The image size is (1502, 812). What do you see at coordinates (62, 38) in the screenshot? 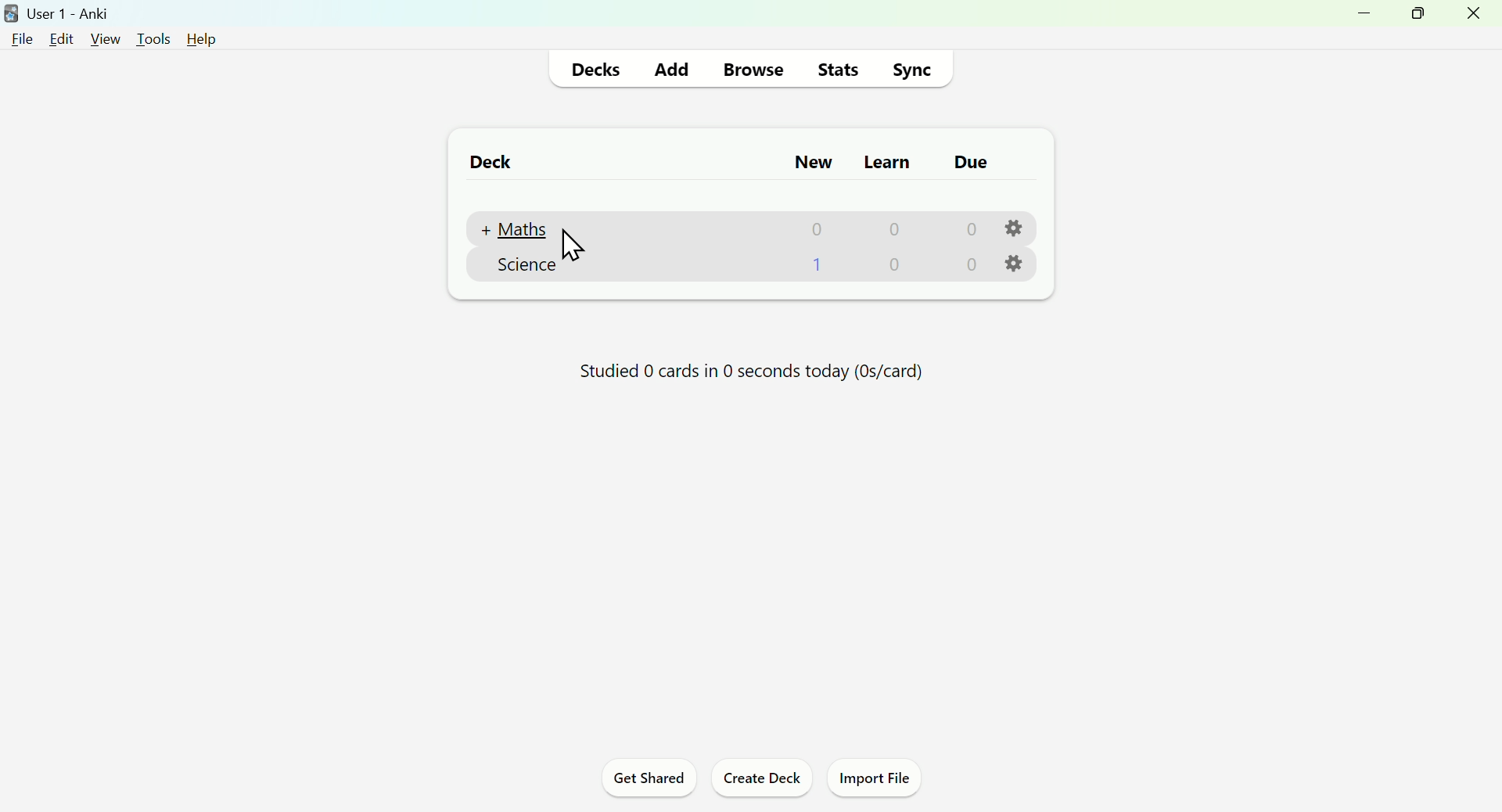
I see `edit` at bounding box center [62, 38].